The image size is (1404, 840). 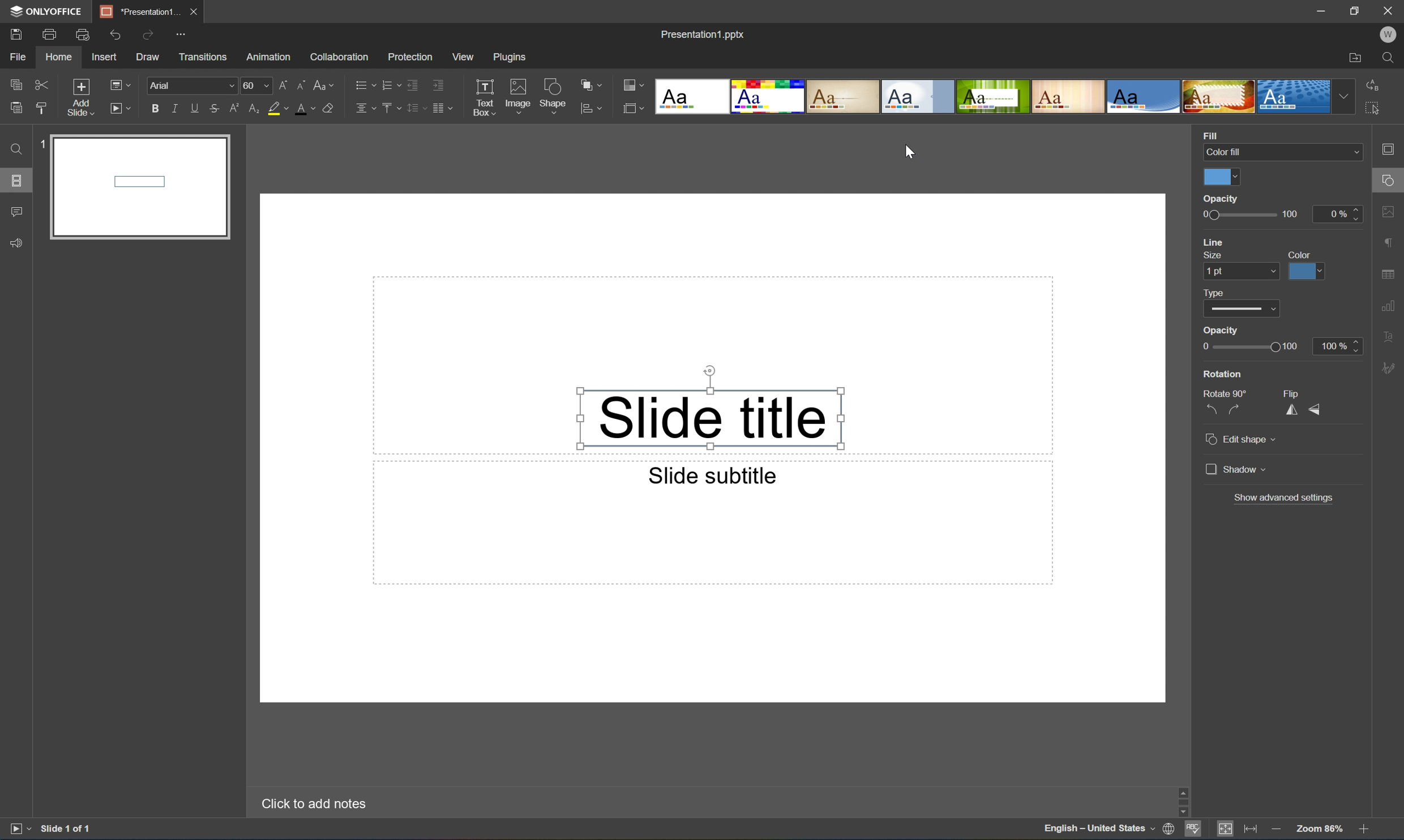 What do you see at coordinates (106, 58) in the screenshot?
I see `Insert` at bounding box center [106, 58].